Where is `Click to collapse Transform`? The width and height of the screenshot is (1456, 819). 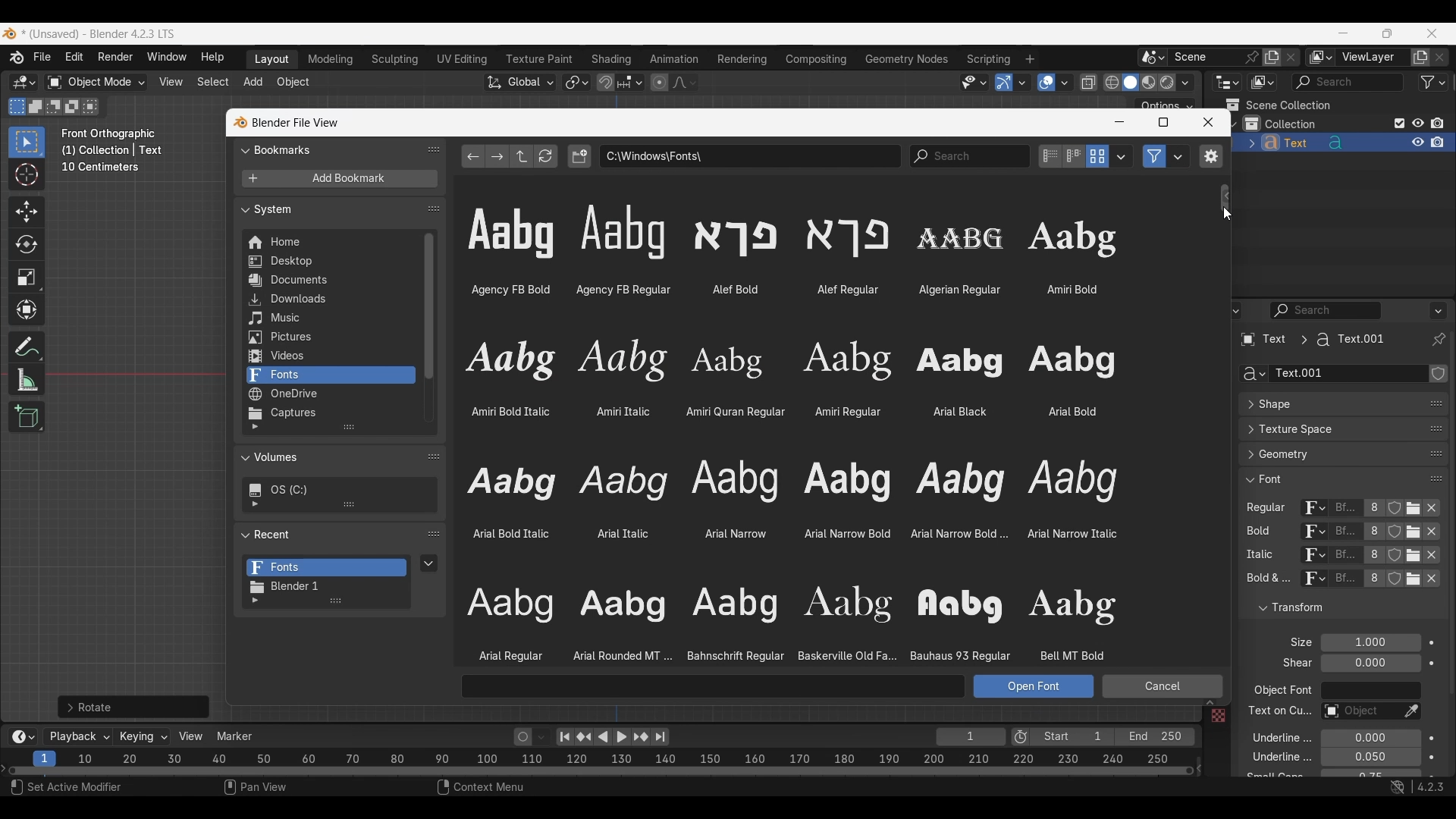
Click to collapse Transform is located at coordinates (1330, 608).